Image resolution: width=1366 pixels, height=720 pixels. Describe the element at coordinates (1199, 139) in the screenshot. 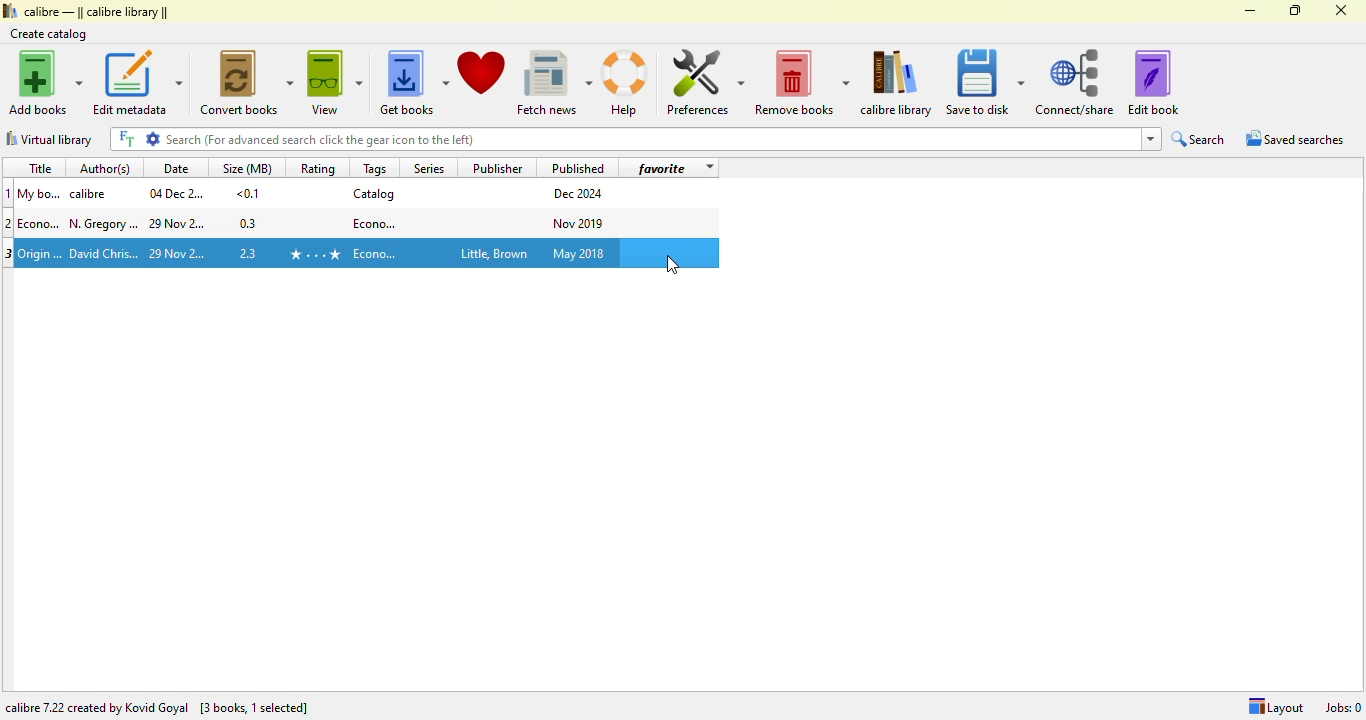

I see `search` at that location.